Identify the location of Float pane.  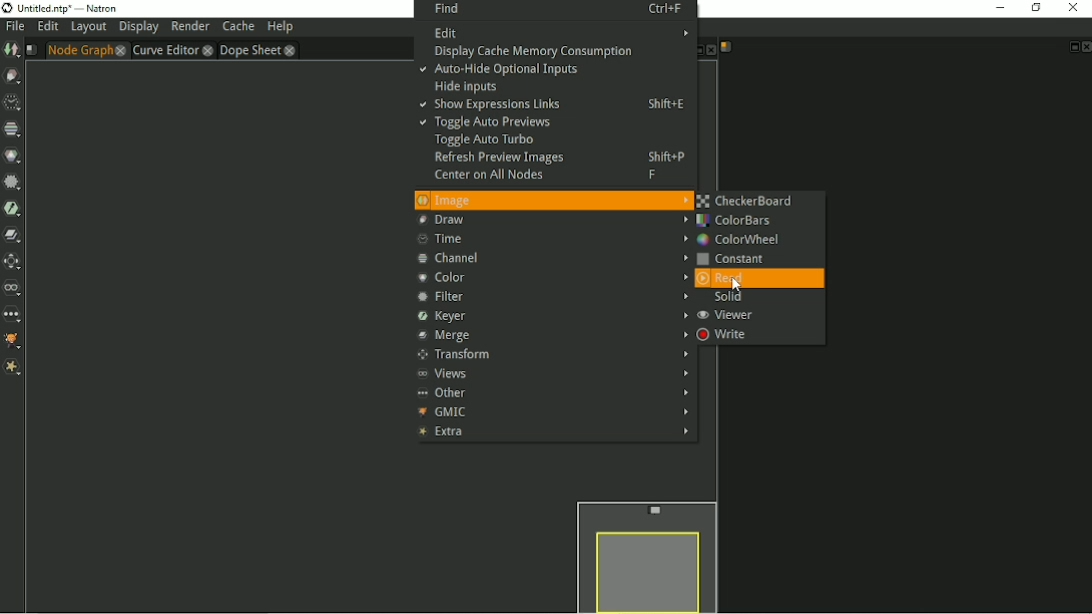
(1072, 47).